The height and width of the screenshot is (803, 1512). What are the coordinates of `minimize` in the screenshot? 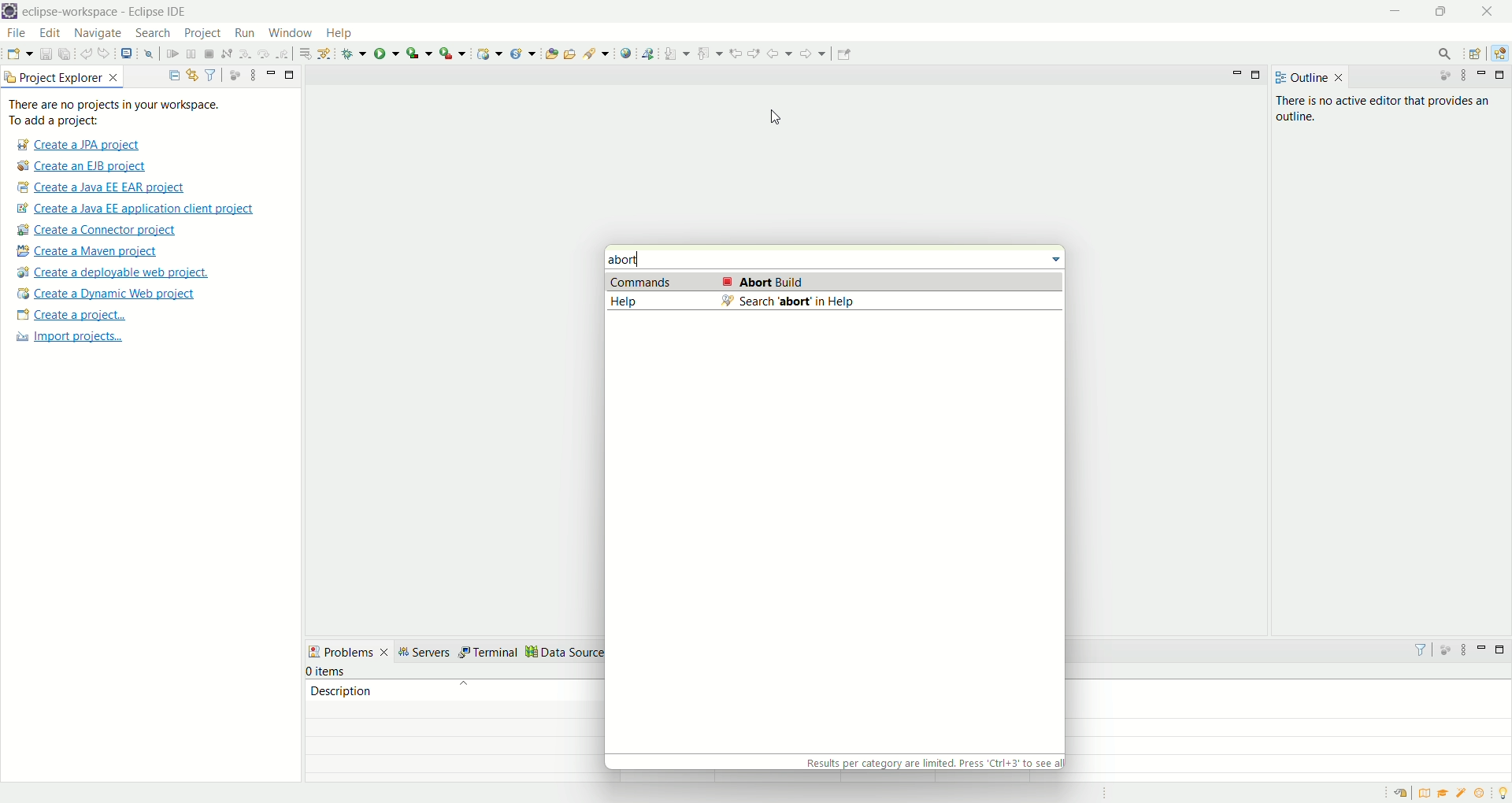 It's located at (1237, 74).